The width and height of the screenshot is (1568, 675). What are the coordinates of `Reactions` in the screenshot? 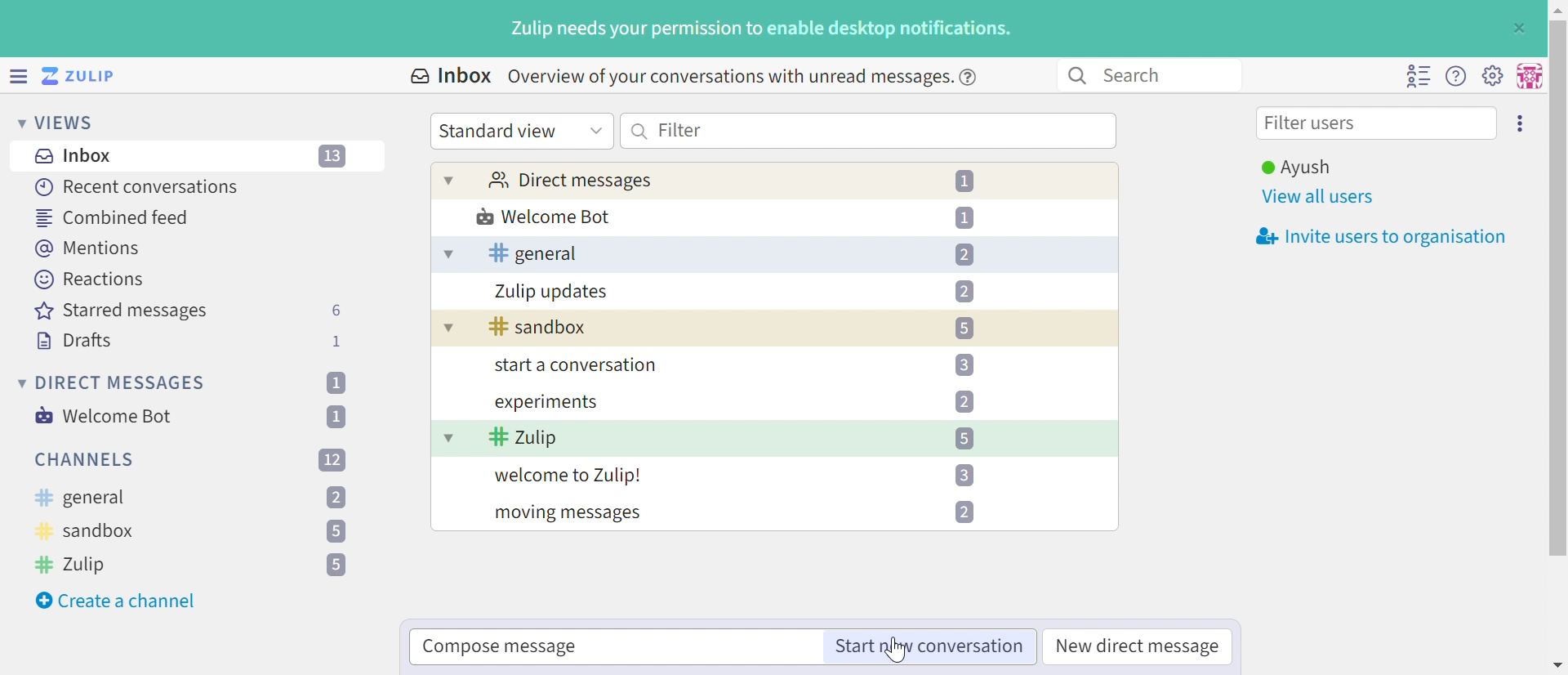 It's located at (89, 279).